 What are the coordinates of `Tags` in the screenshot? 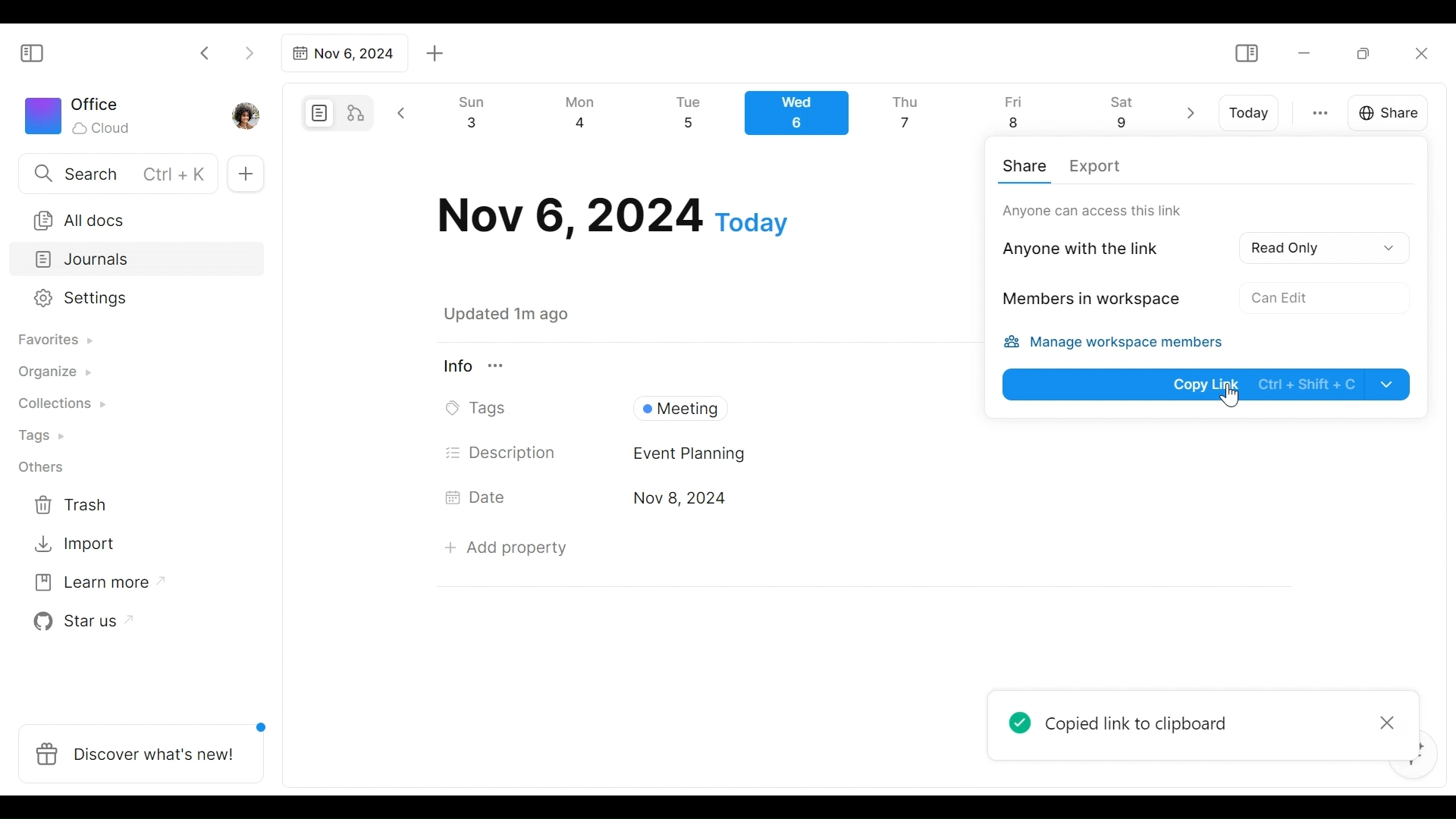 It's located at (480, 409).